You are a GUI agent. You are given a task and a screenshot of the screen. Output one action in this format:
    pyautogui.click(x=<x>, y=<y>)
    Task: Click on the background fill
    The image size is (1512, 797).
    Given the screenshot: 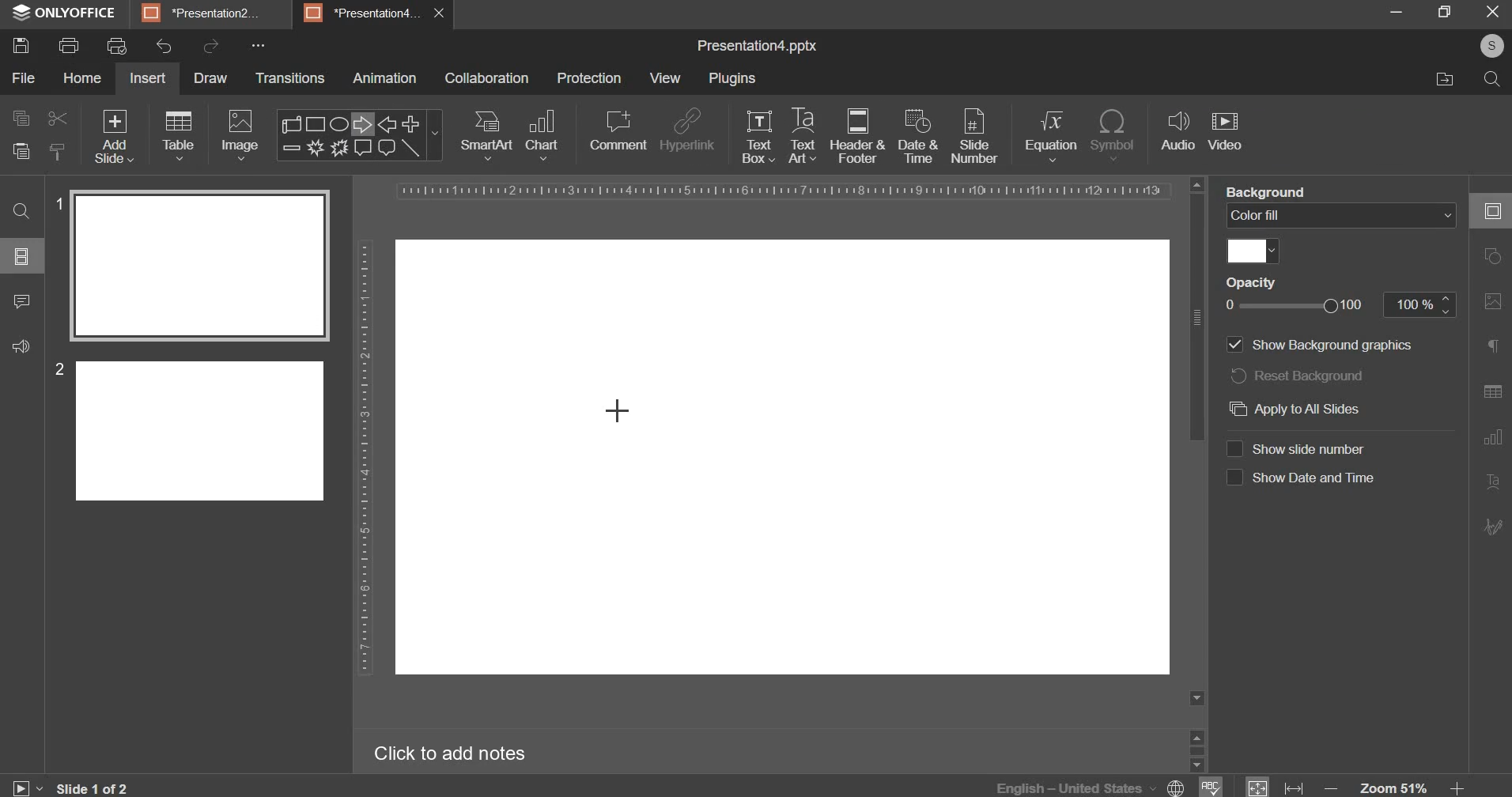 What is the action you would take?
    pyautogui.click(x=1343, y=214)
    